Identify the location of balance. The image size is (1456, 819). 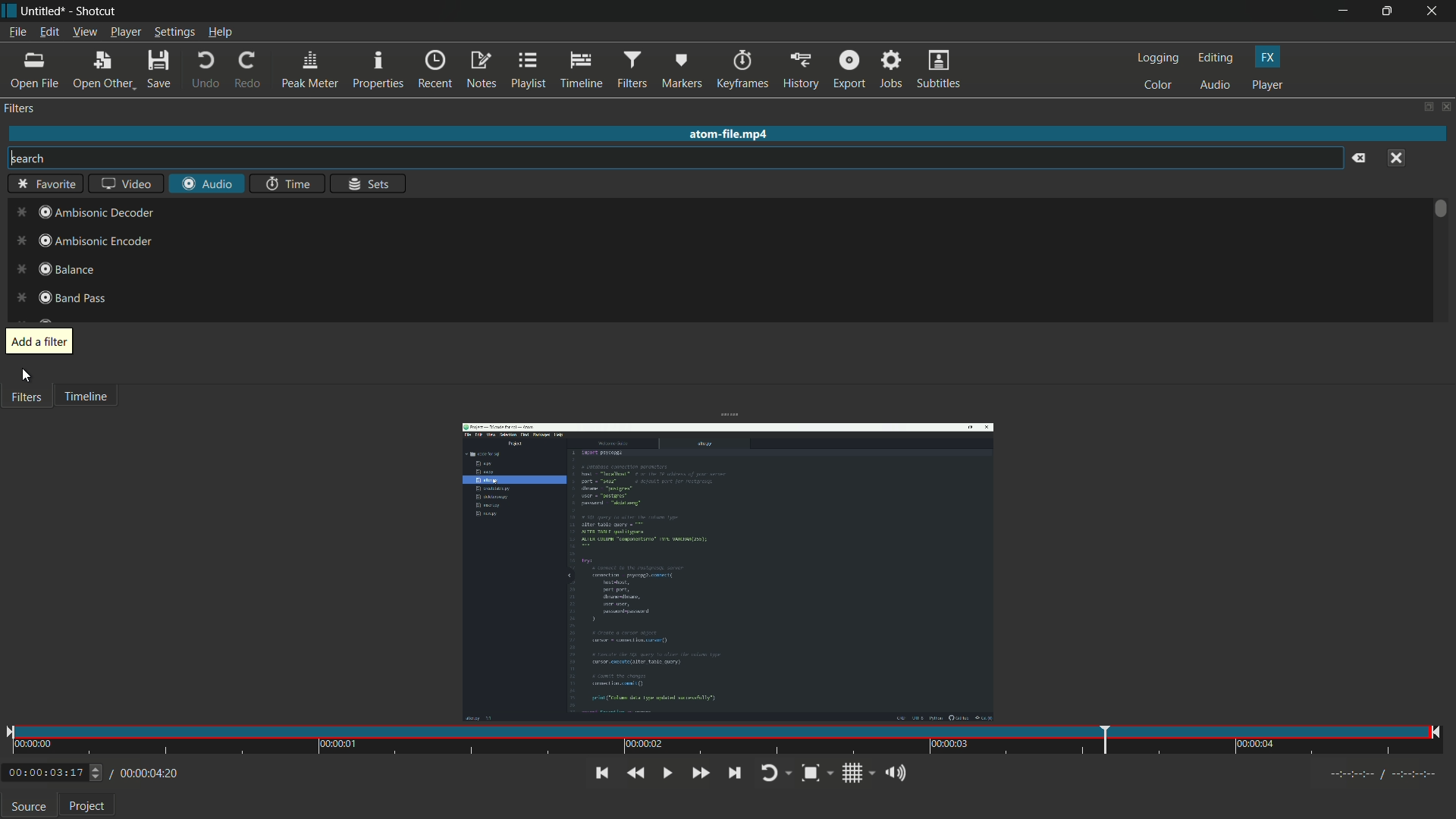
(54, 268).